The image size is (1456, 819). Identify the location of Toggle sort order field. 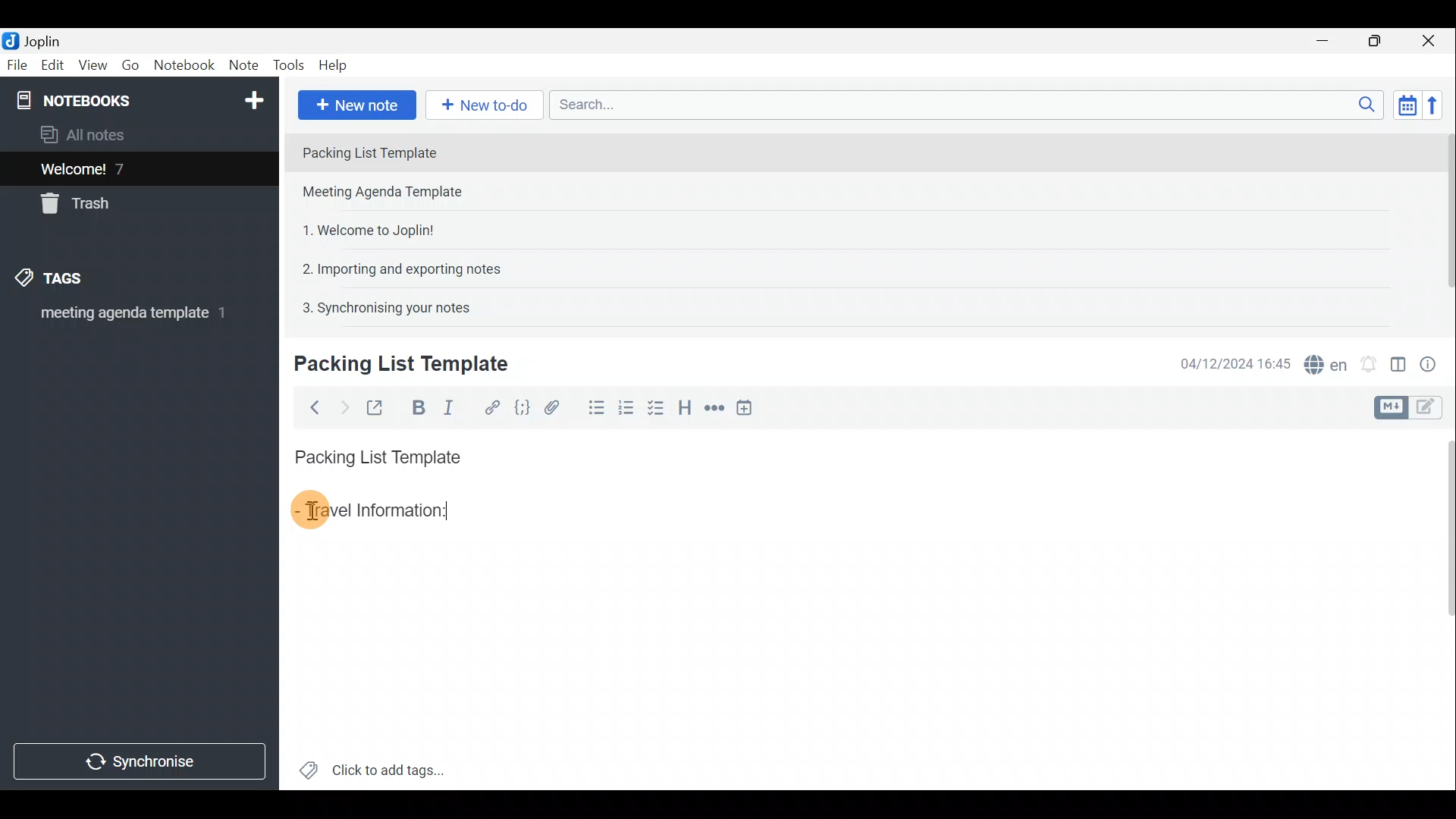
(1402, 105).